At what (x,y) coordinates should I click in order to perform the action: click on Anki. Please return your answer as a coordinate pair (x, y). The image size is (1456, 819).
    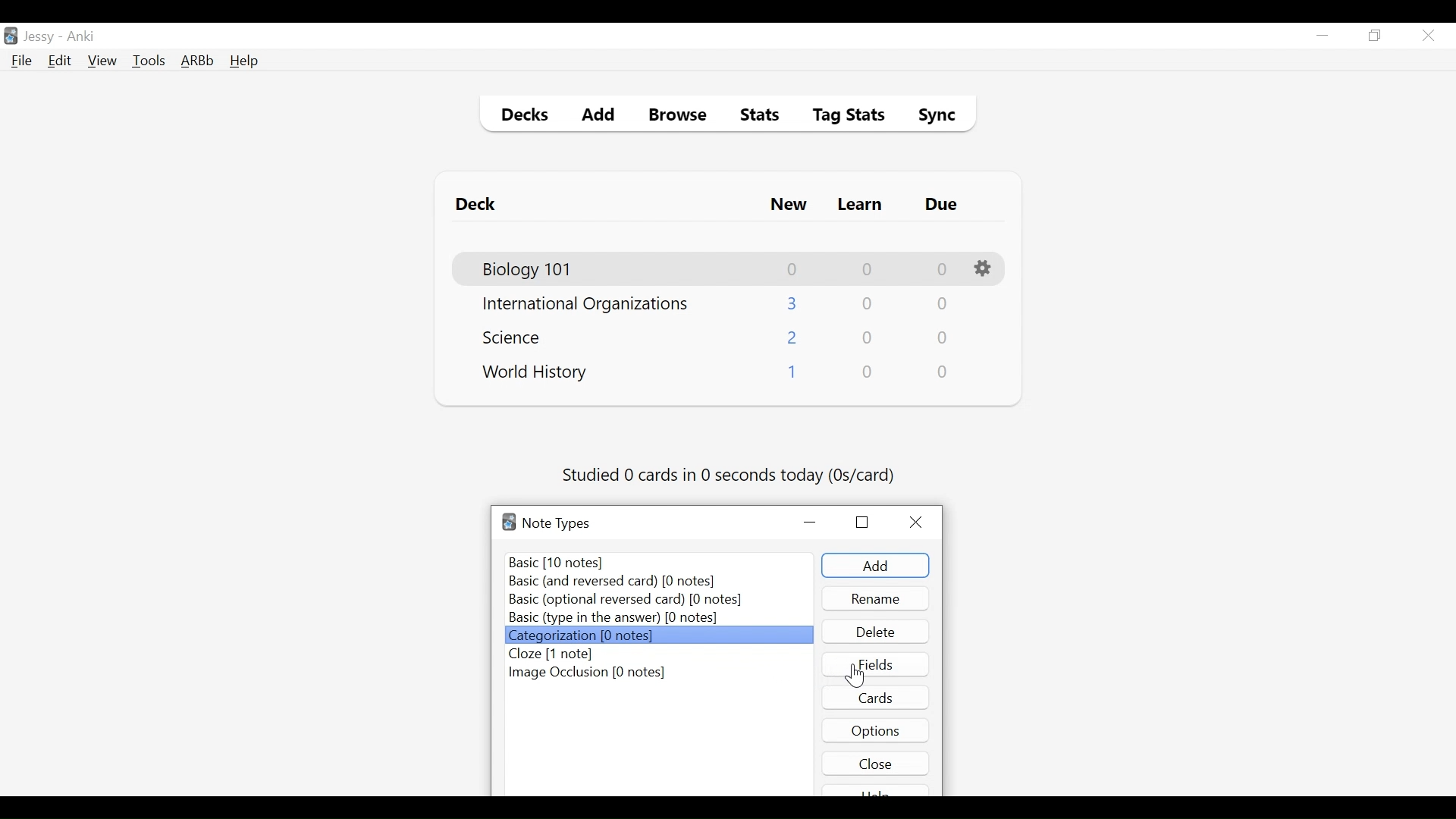
    Looking at the image, I should click on (81, 36).